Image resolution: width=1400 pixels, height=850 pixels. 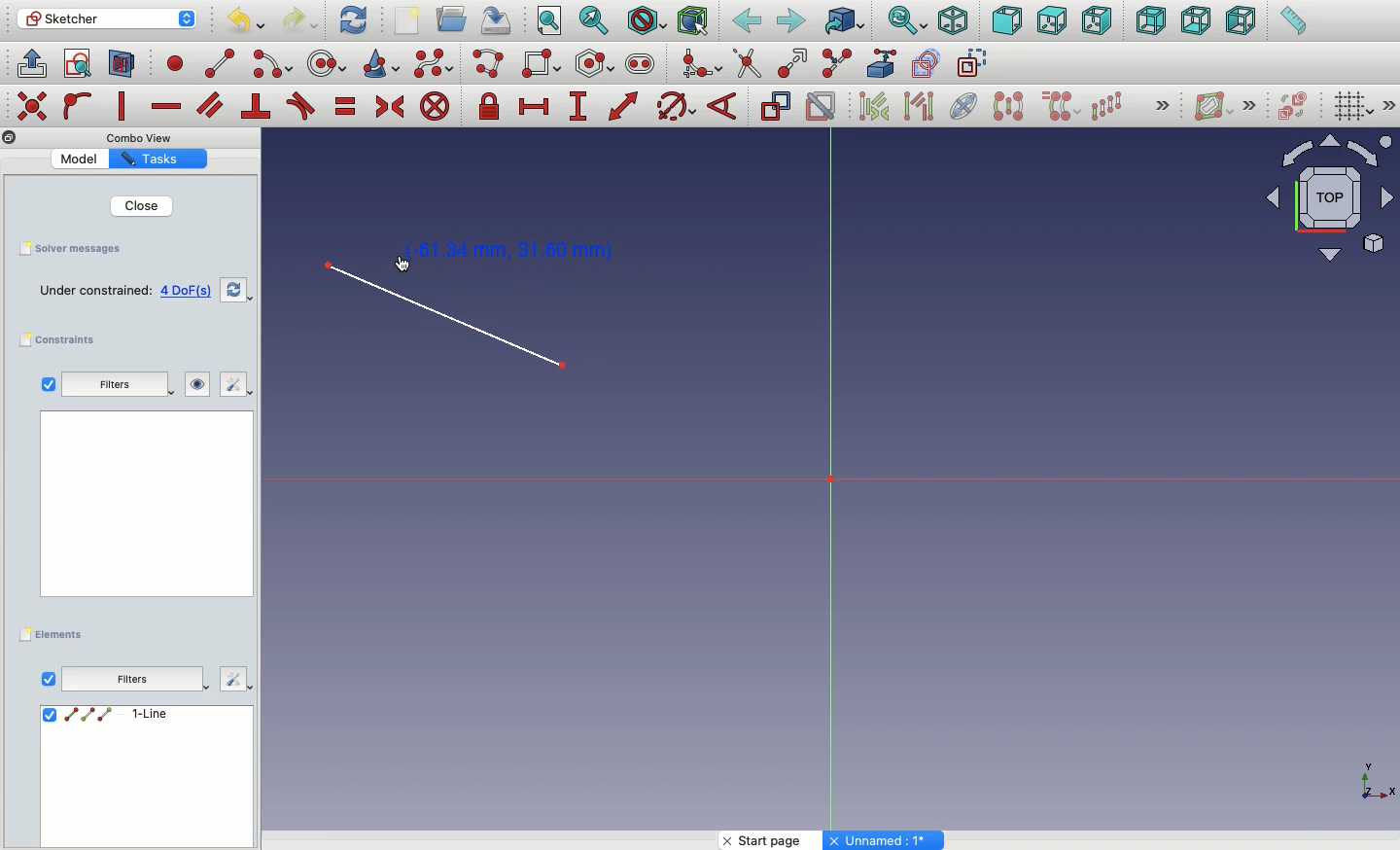 What do you see at coordinates (1108, 105) in the screenshot?
I see `Rectangular array` at bounding box center [1108, 105].